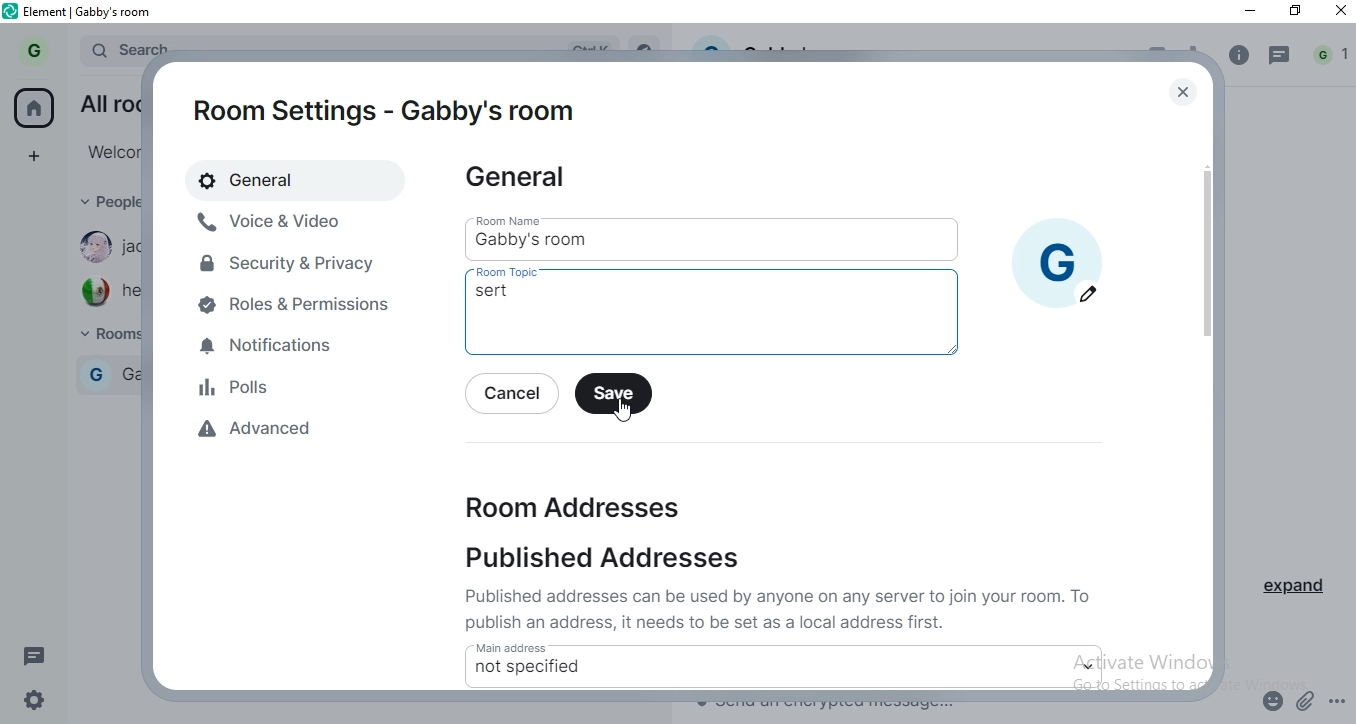 The height and width of the screenshot is (724, 1356). What do you see at coordinates (591, 240) in the screenshot?
I see `gabby's room` at bounding box center [591, 240].